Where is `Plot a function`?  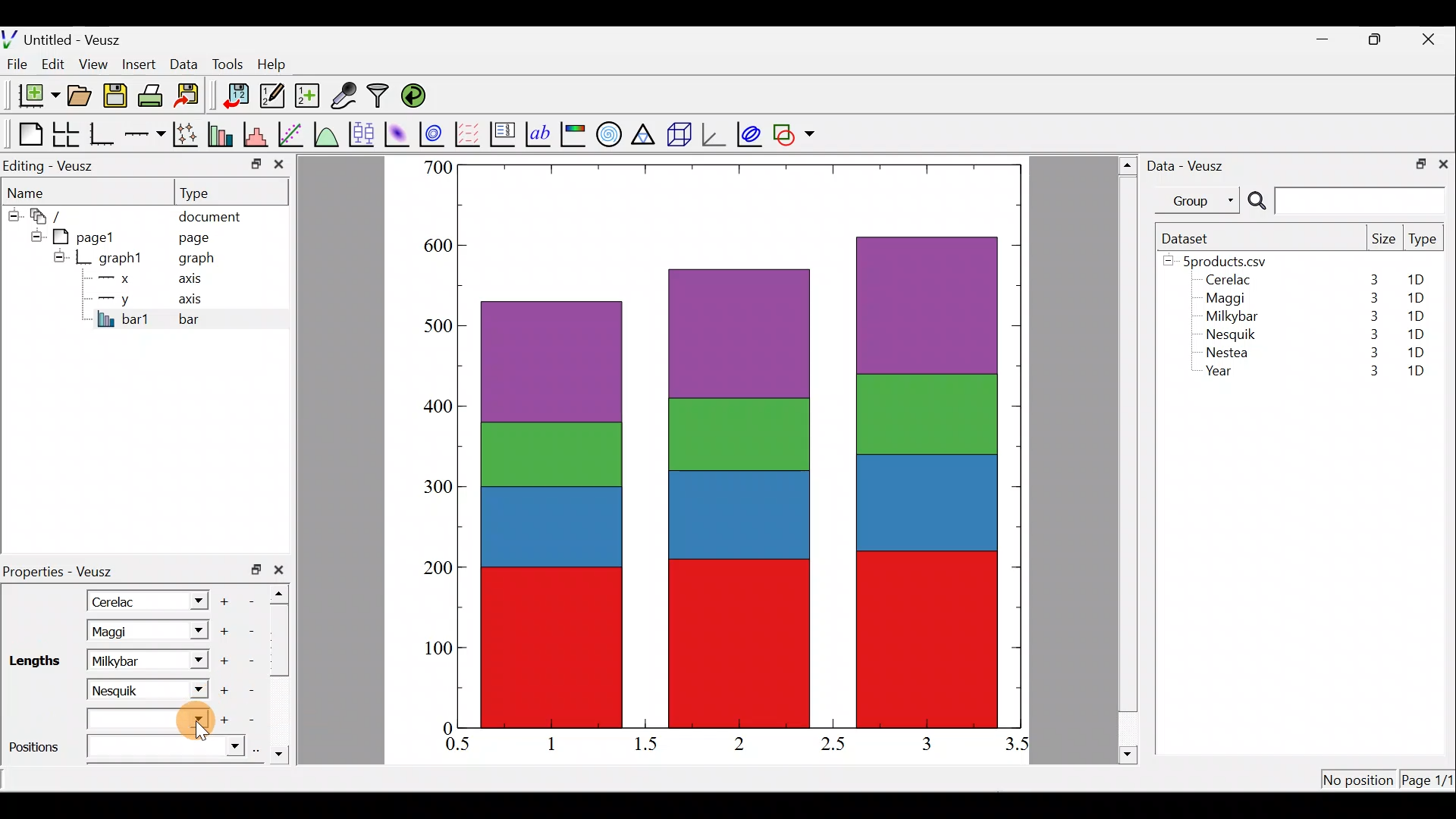 Plot a function is located at coordinates (327, 133).